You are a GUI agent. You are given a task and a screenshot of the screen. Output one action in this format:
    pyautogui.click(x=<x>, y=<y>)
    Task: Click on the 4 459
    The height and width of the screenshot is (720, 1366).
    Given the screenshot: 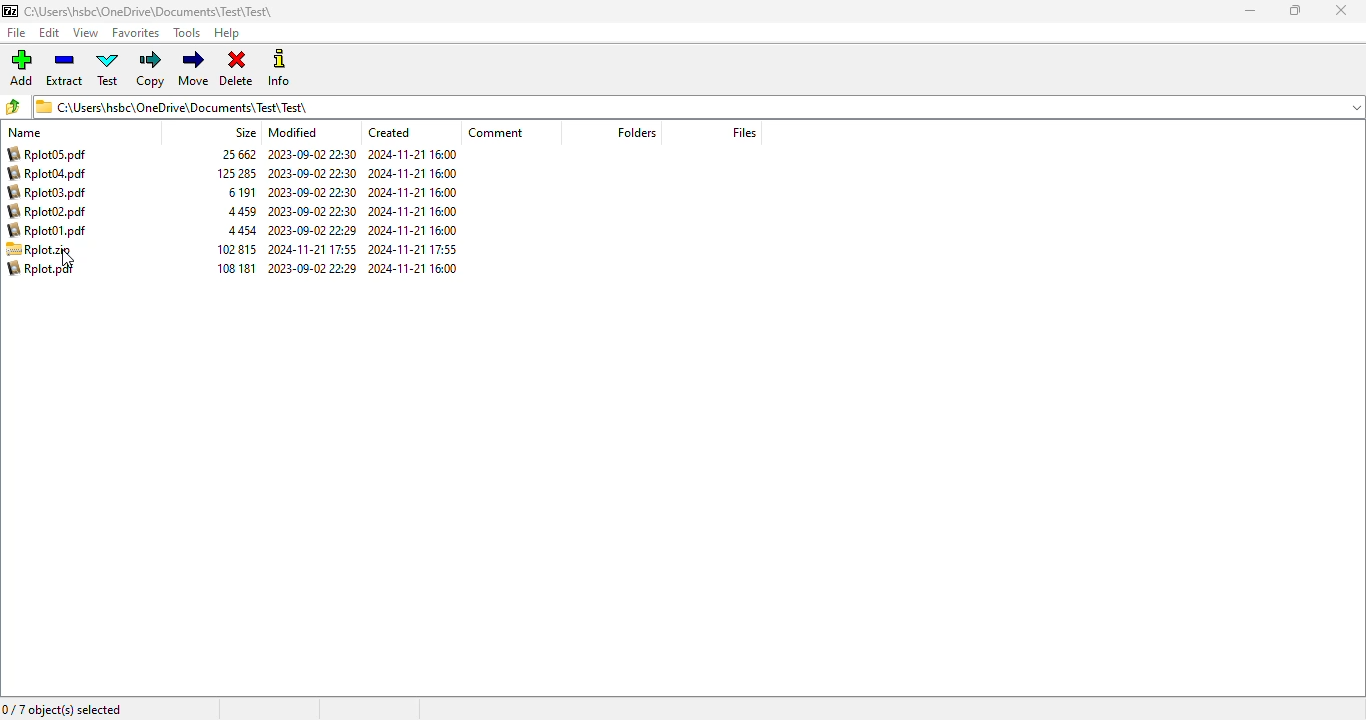 What is the action you would take?
    pyautogui.click(x=241, y=212)
    